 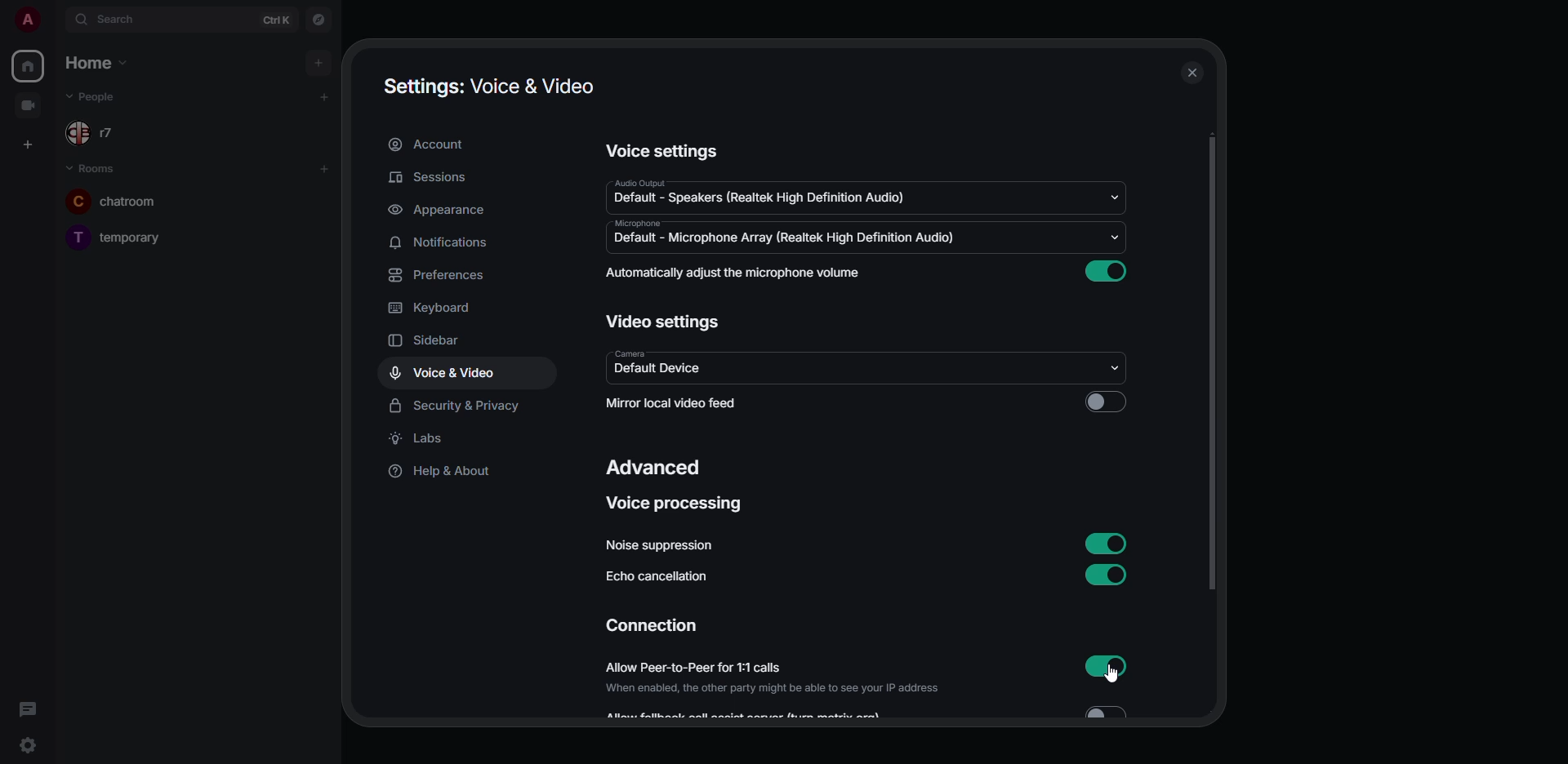 I want to click on add, so click(x=319, y=62).